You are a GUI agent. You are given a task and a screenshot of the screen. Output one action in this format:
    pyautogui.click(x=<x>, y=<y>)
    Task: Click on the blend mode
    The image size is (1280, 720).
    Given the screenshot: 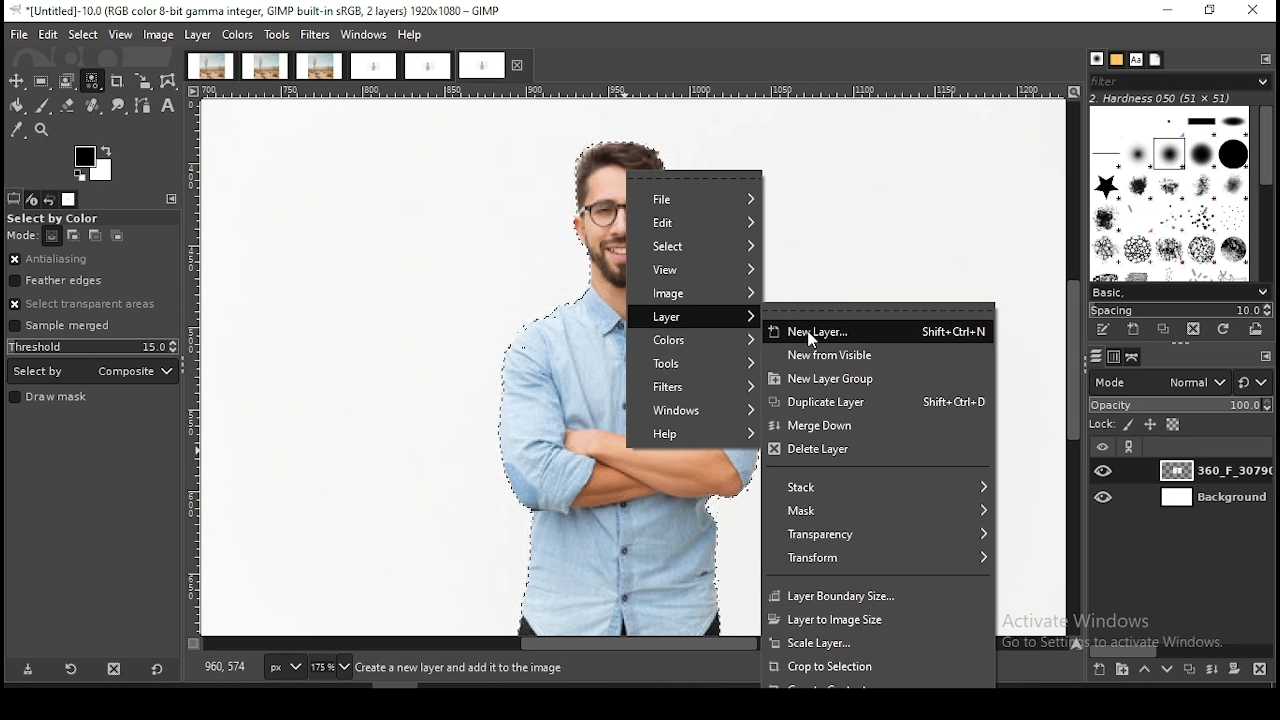 What is the action you would take?
    pyautogui.click(x=1159, y=382)
    